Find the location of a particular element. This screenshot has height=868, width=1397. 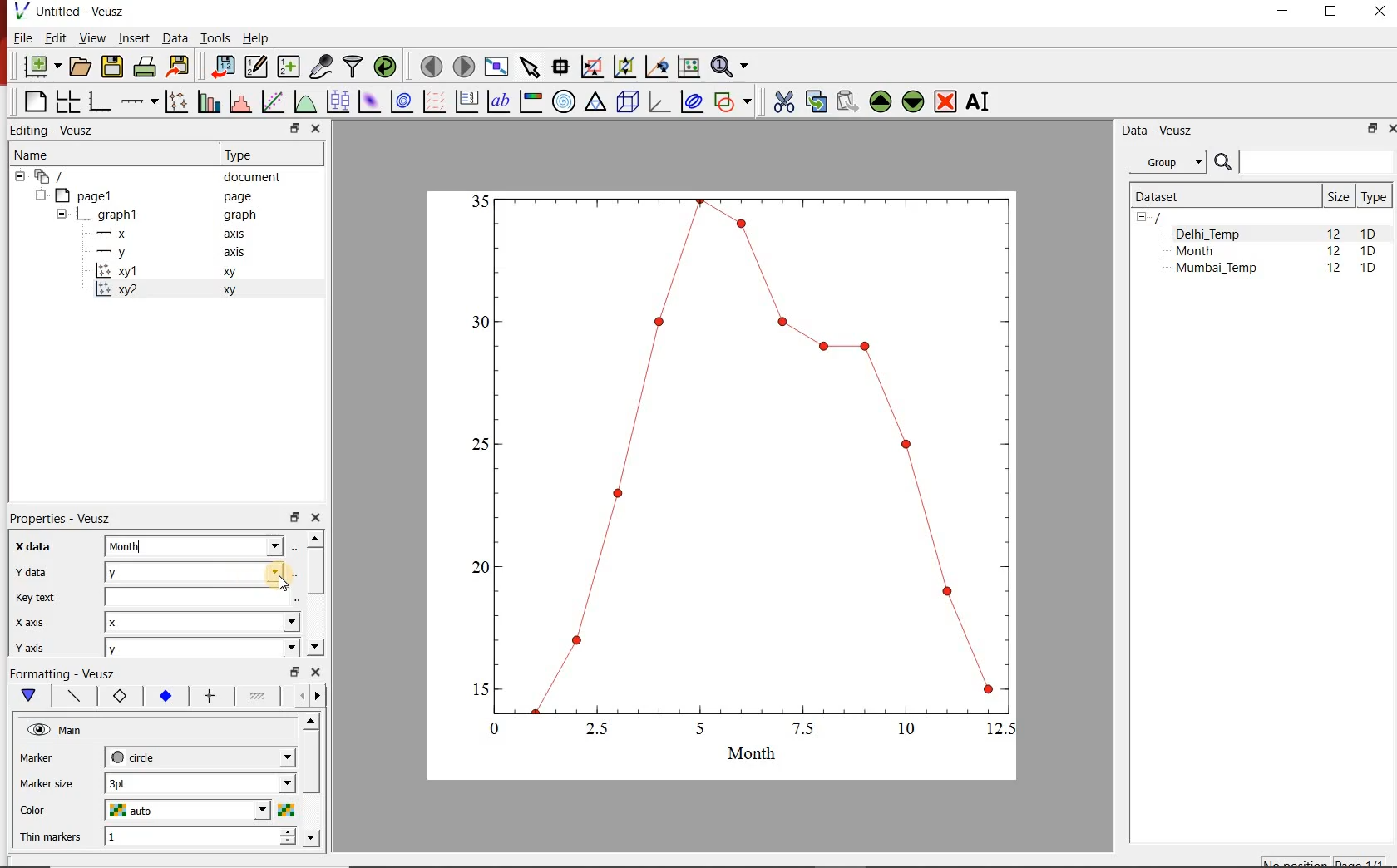

text label is located at coordinates (498, 101).